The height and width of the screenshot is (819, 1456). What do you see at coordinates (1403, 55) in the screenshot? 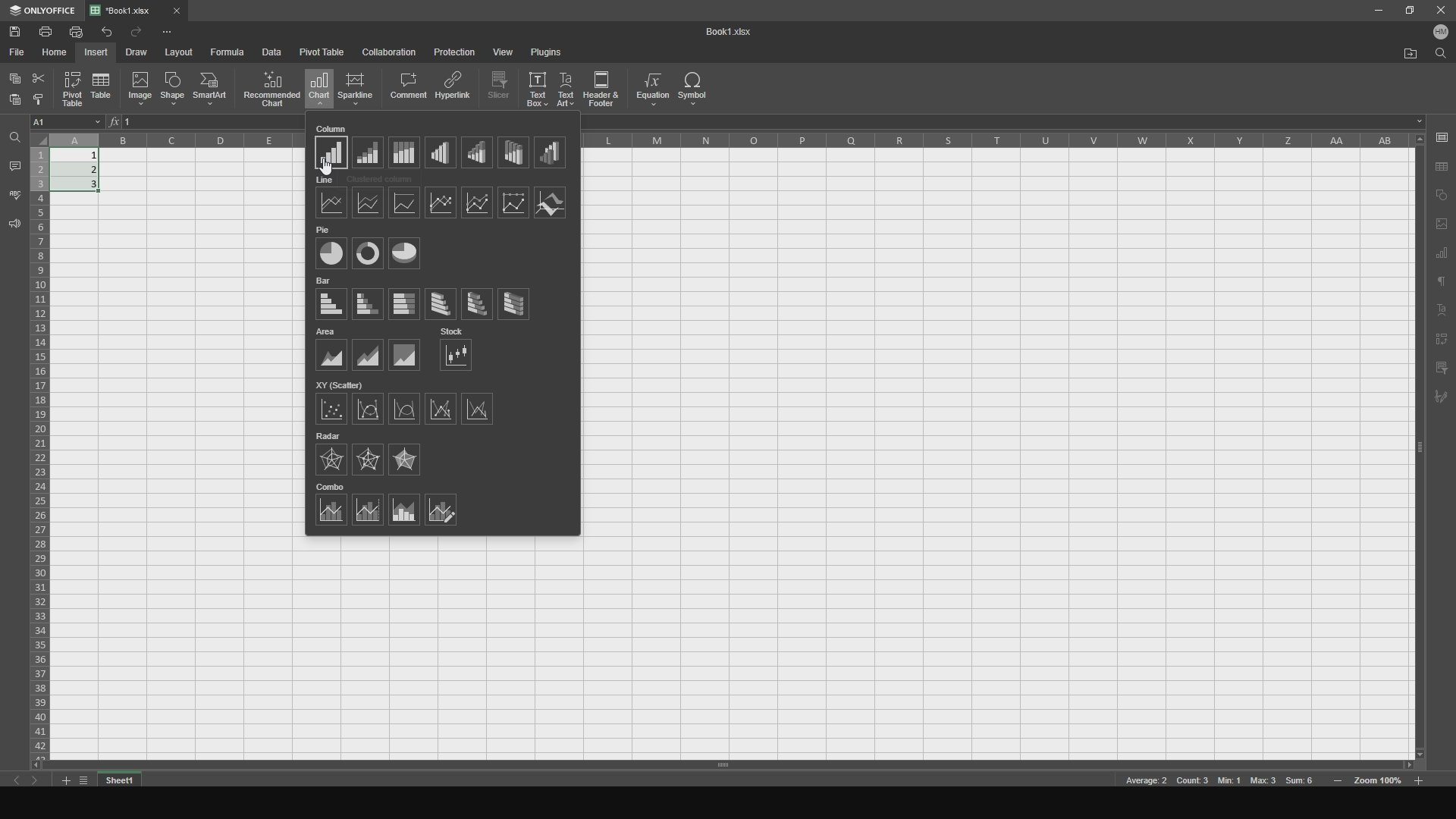
I see `open file location` at bounding box center [1403, 55].